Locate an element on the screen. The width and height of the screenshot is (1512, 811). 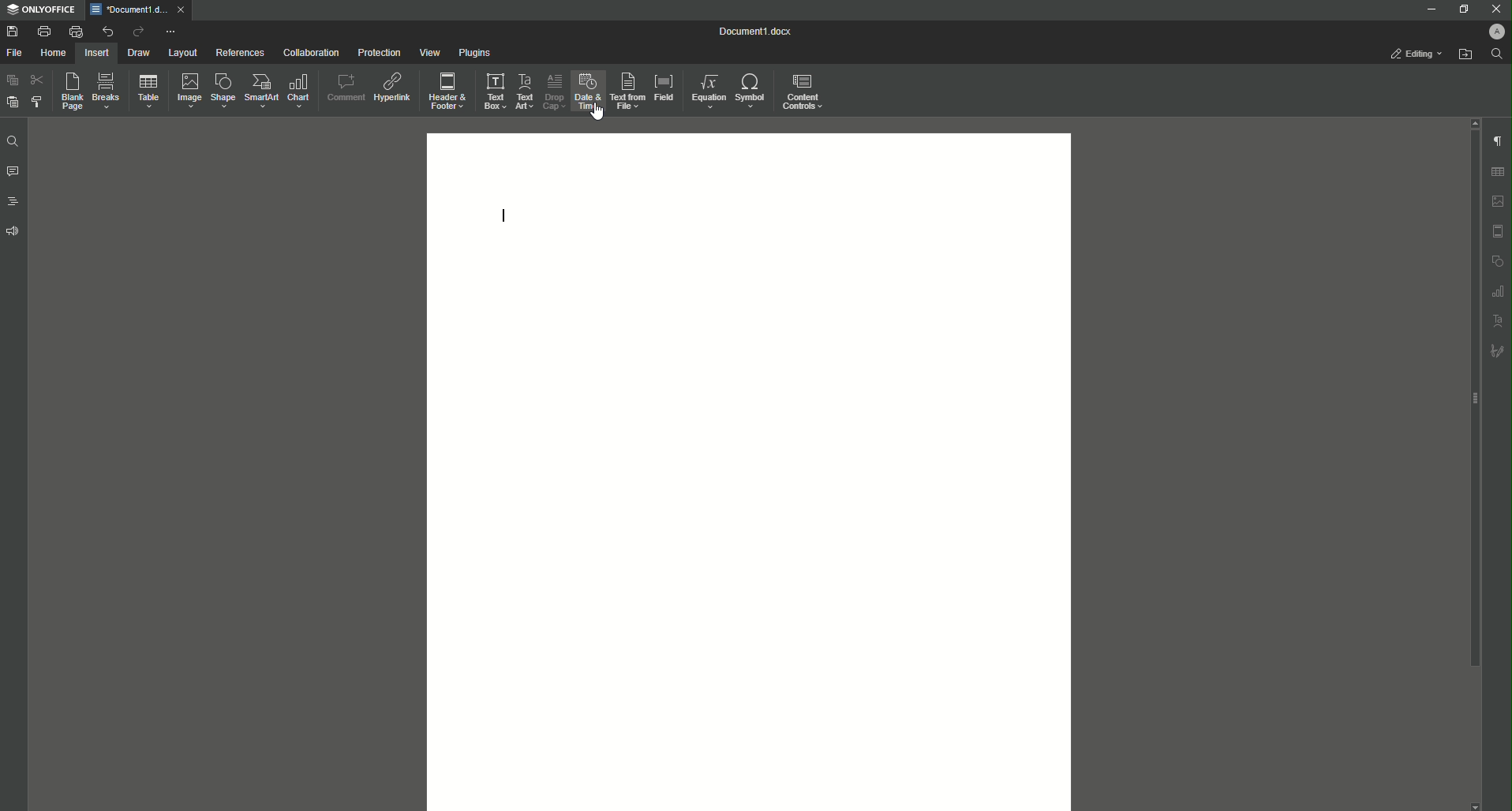
table settings is located at coordinates (1497, 172).